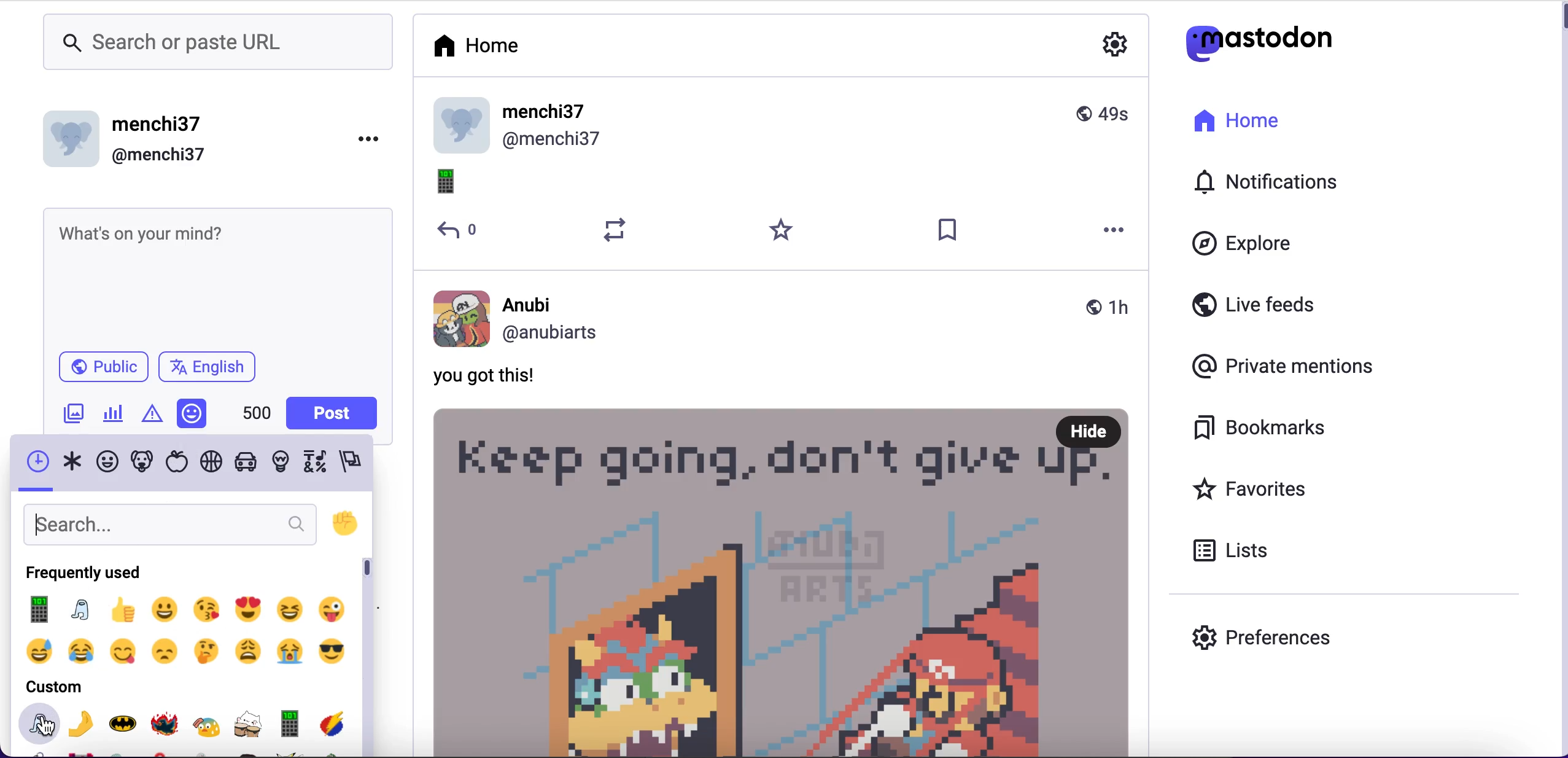 Image resolution: width=1568 pixels, height=758 pixels. Describe the element at coordinates (1116, 231) in the screenshot. I see `more options` at that location.